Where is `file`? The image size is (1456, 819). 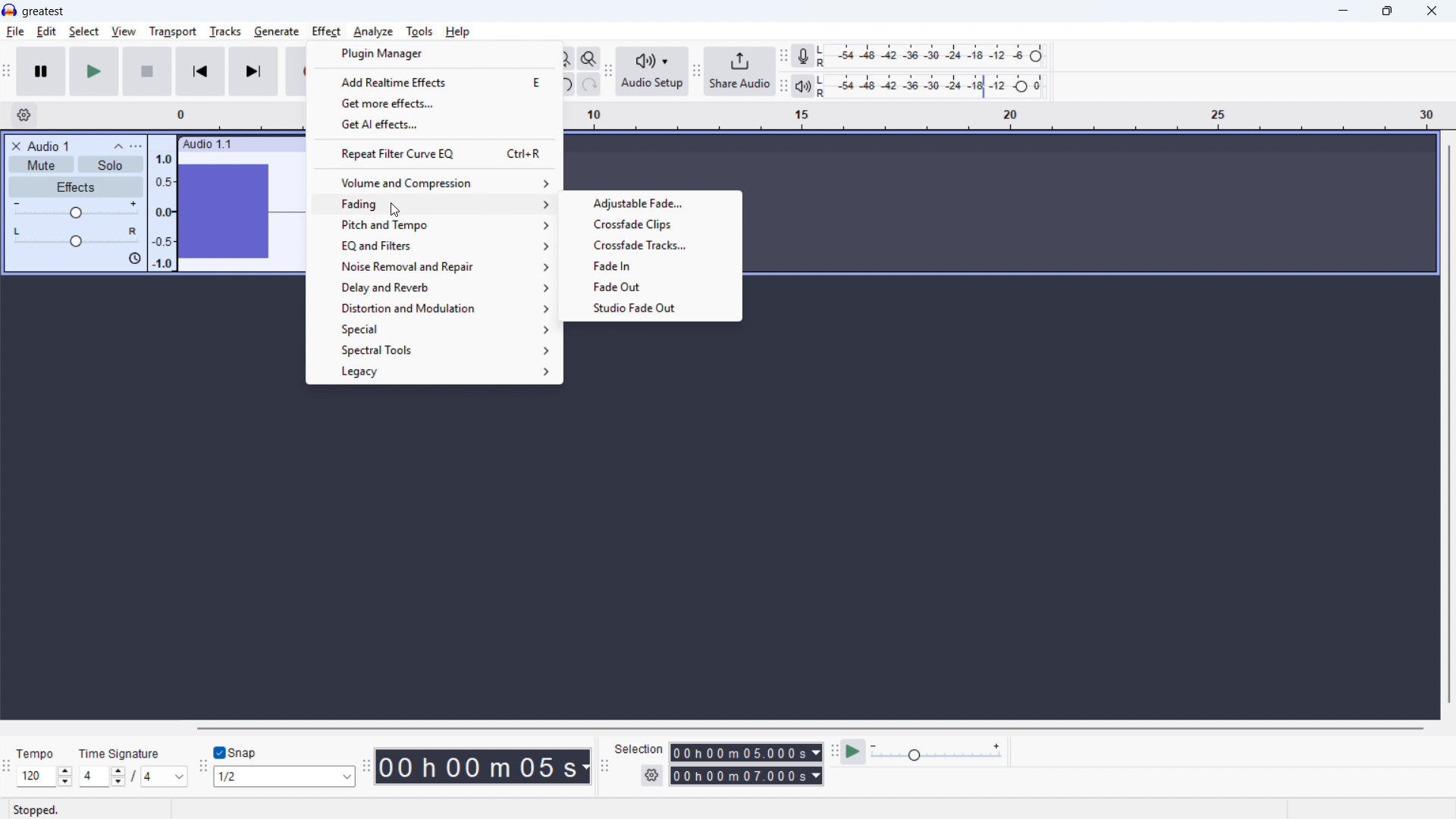 file is located at coordinates (15, 33).